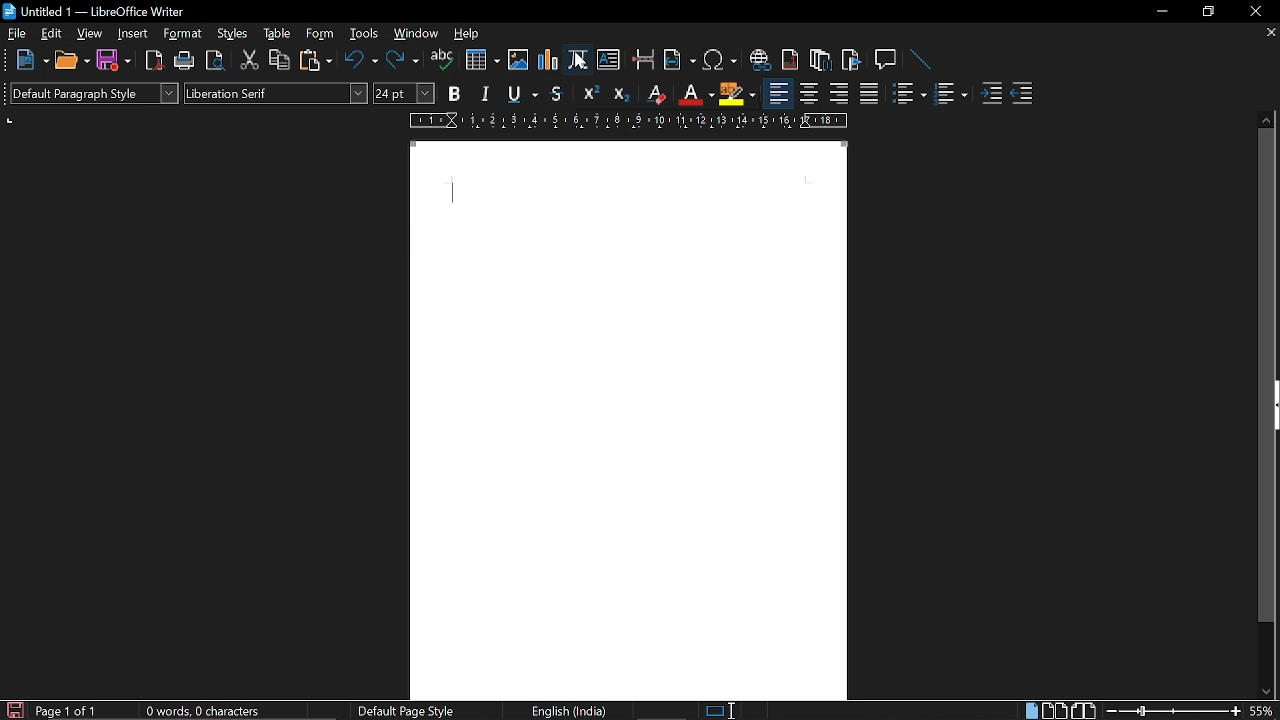  I want to click on italic, so click(483, 94).